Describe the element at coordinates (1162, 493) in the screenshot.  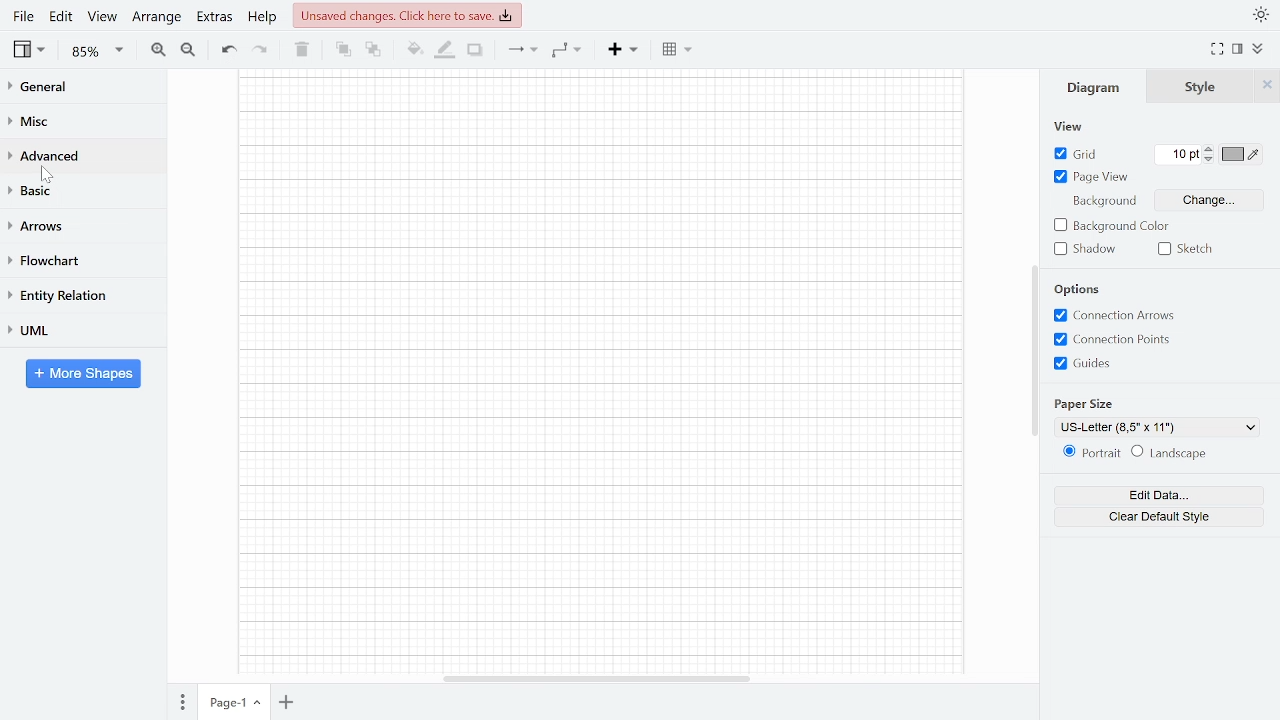
I see `Edit data` at that location.